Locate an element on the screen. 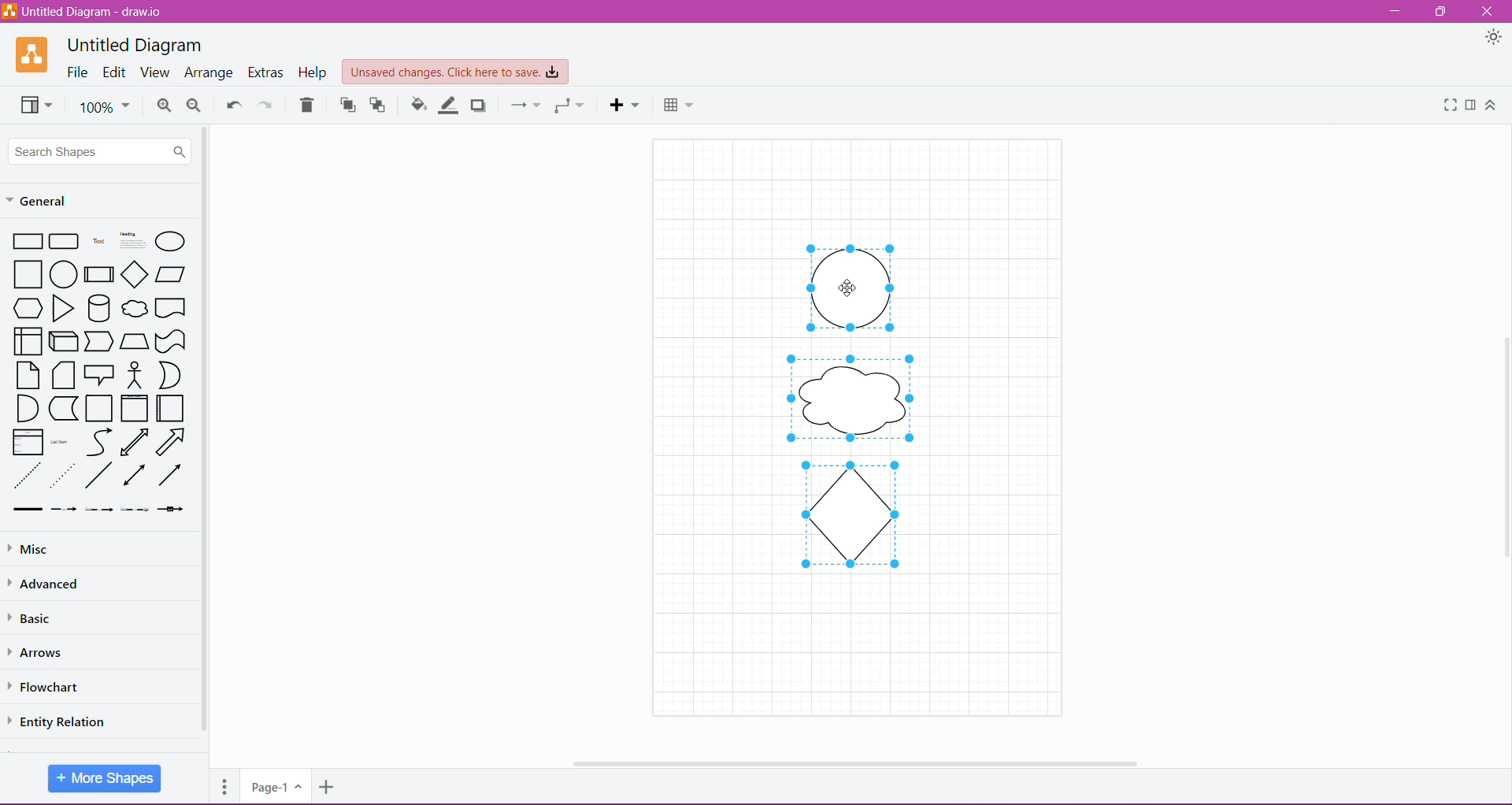 Image resolution: width=1512 pixels, height=805 pixels. Zoom In is located at coordinates (164, 106).